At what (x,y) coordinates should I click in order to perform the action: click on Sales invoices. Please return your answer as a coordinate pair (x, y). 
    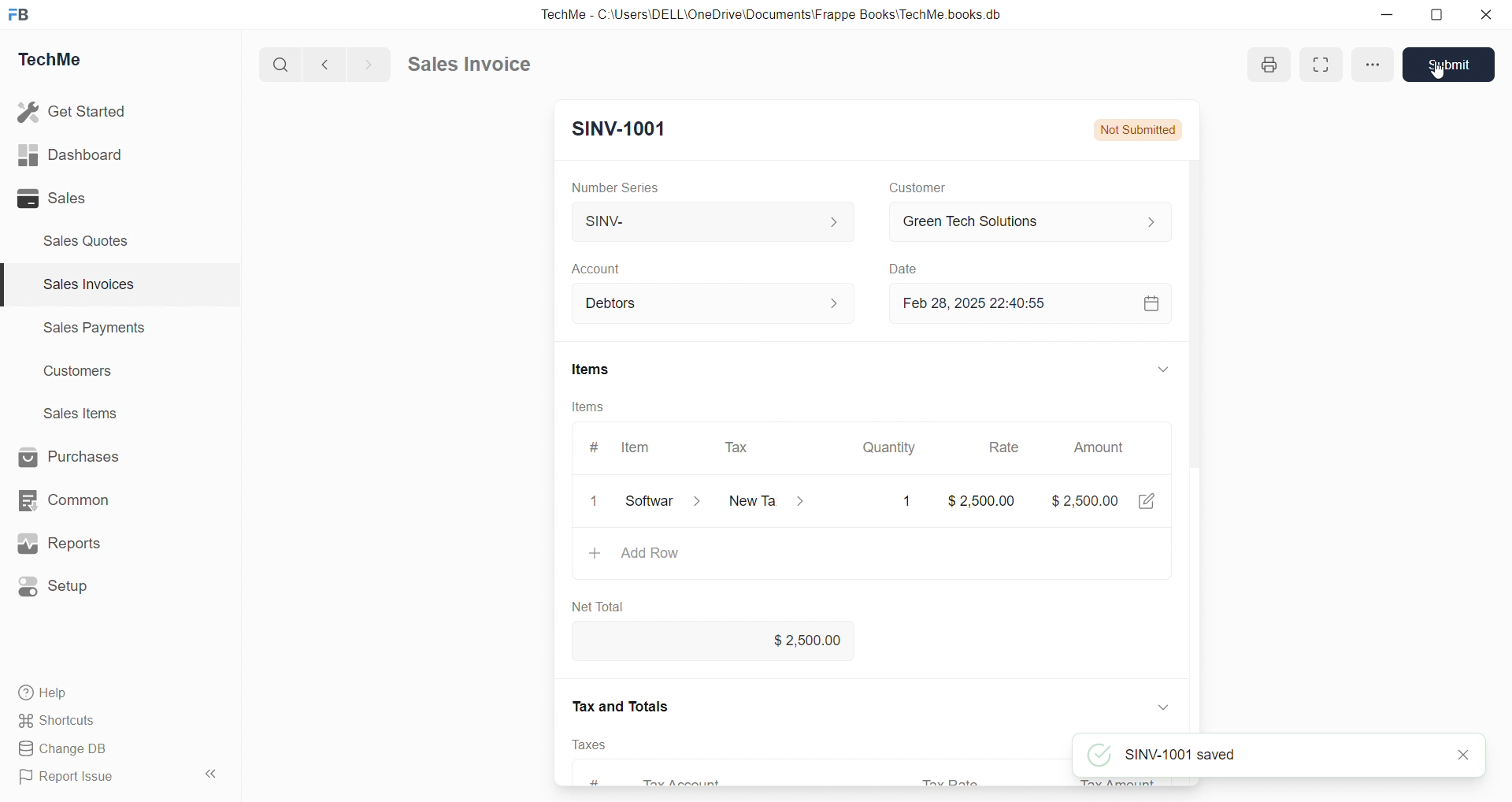
    Looking at the image, I should click on (87, 284).